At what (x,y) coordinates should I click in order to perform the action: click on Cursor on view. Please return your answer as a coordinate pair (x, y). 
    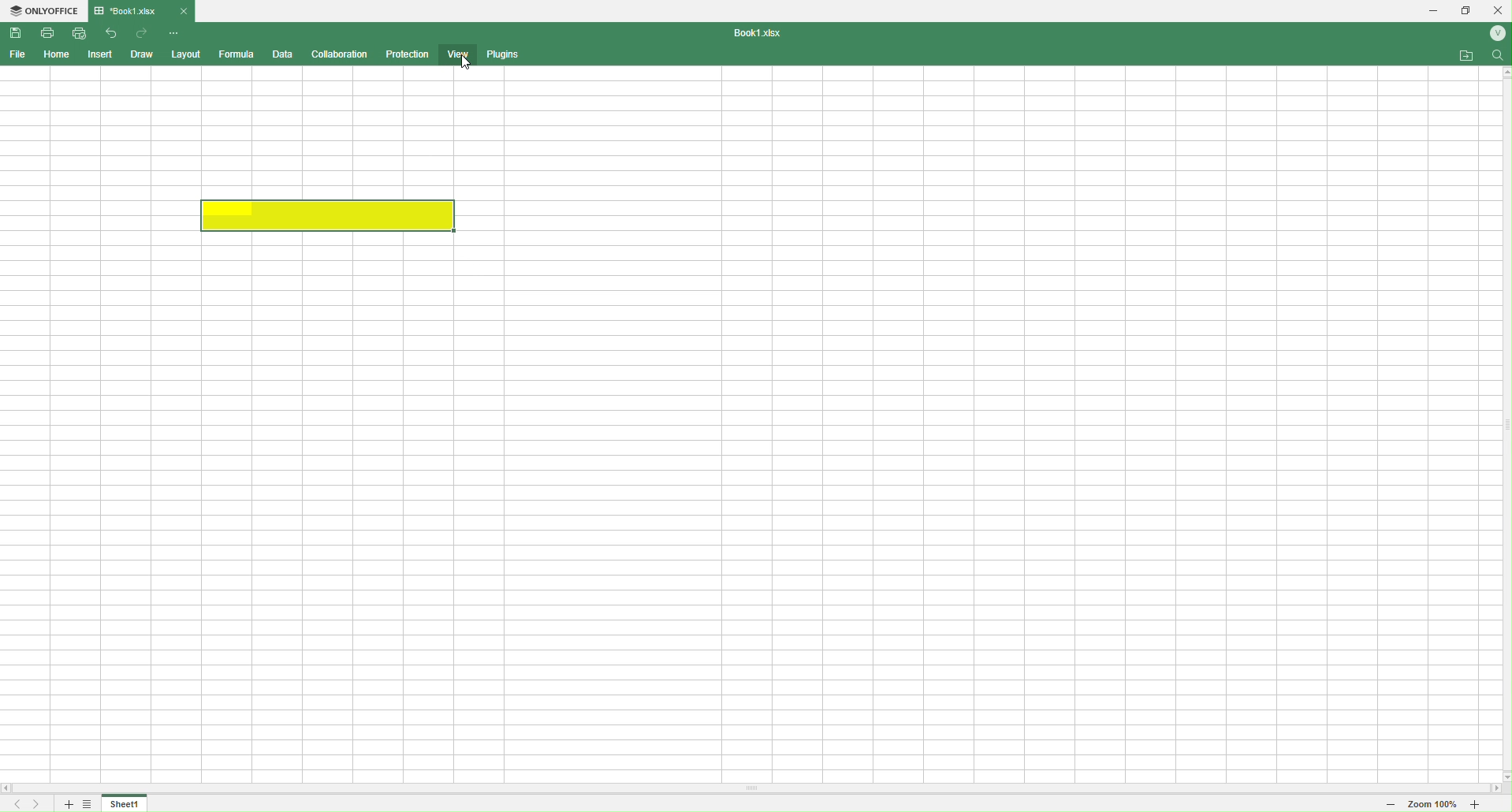
    Looking at the image, I should click on (464, 64).